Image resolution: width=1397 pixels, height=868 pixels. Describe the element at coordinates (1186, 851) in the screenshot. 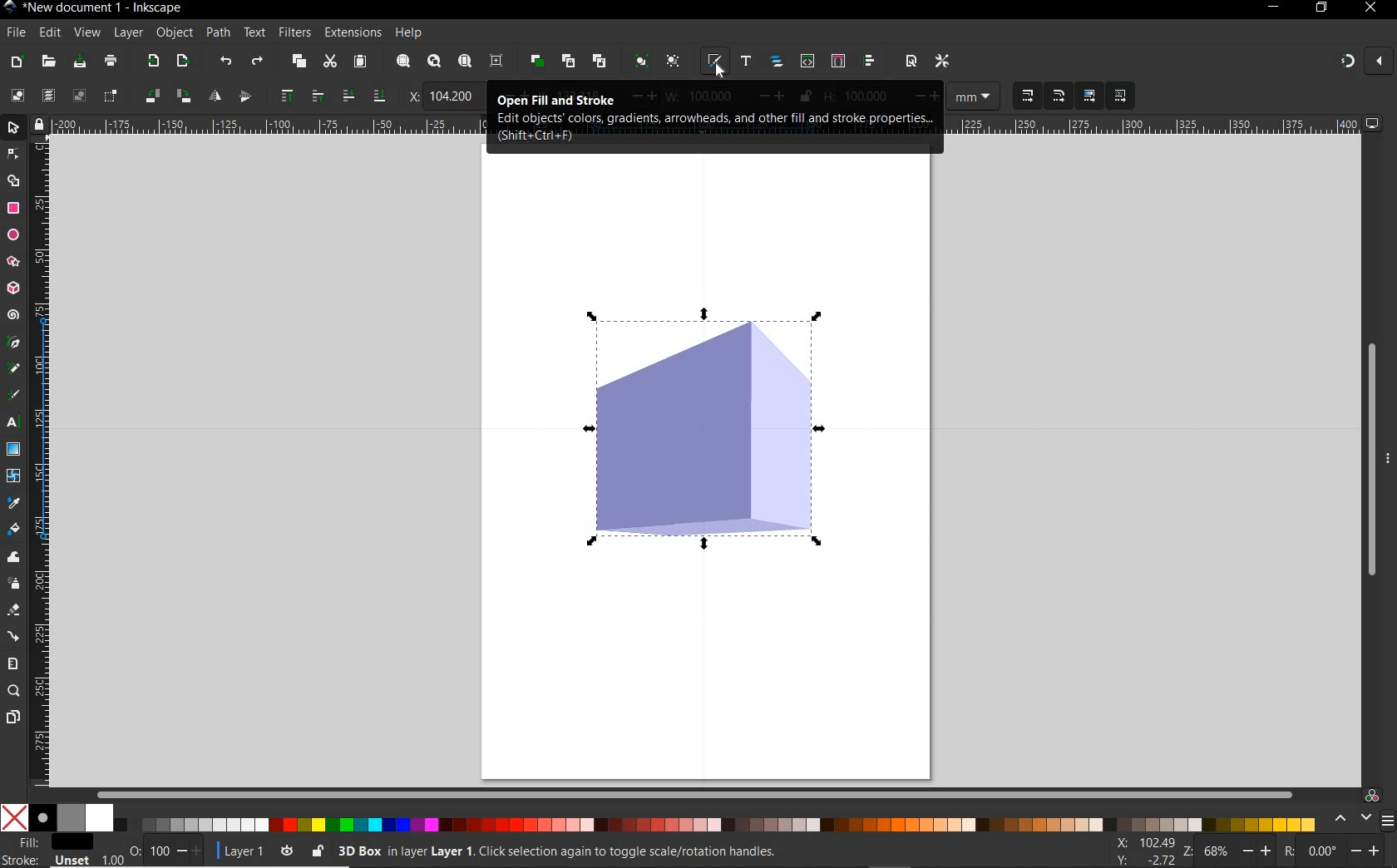

I see `ZOOM` at that location.